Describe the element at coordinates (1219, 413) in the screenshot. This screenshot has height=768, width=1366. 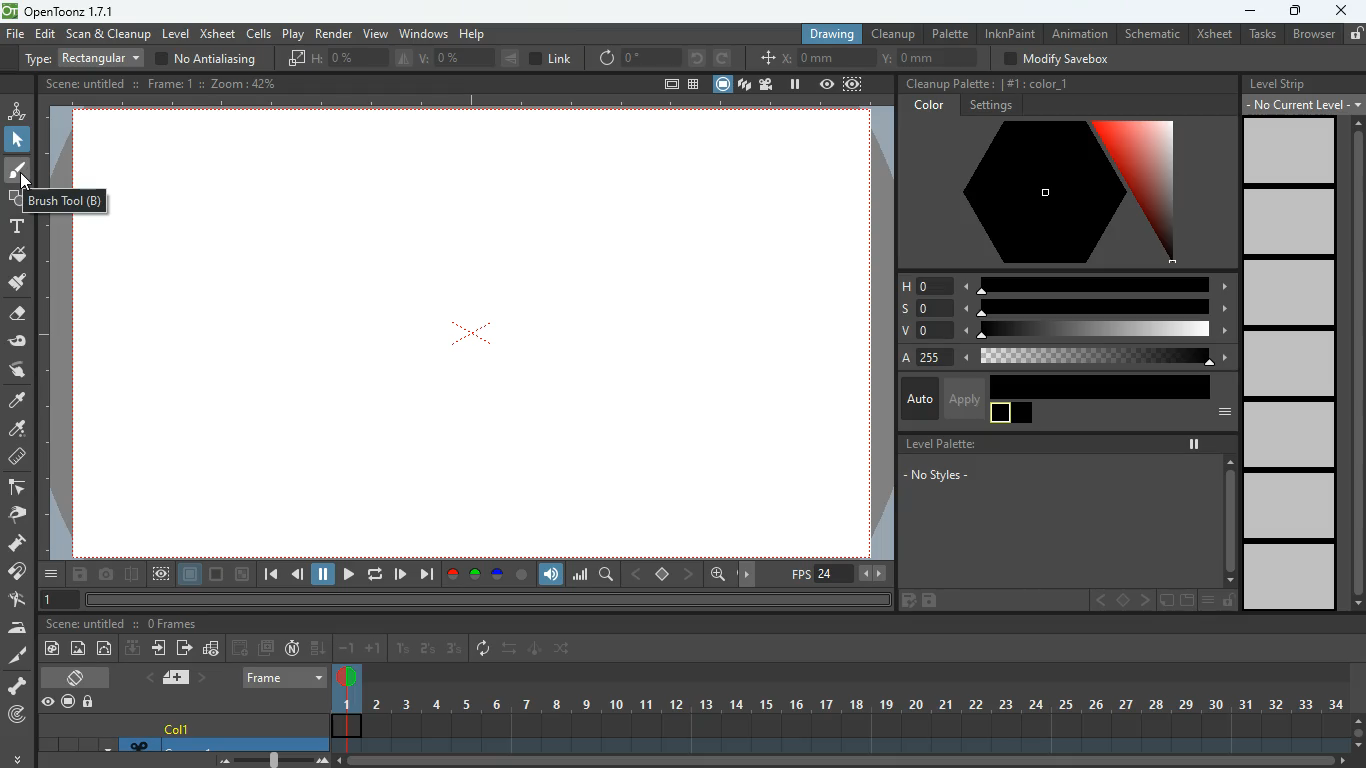
I see `menu` at that location.